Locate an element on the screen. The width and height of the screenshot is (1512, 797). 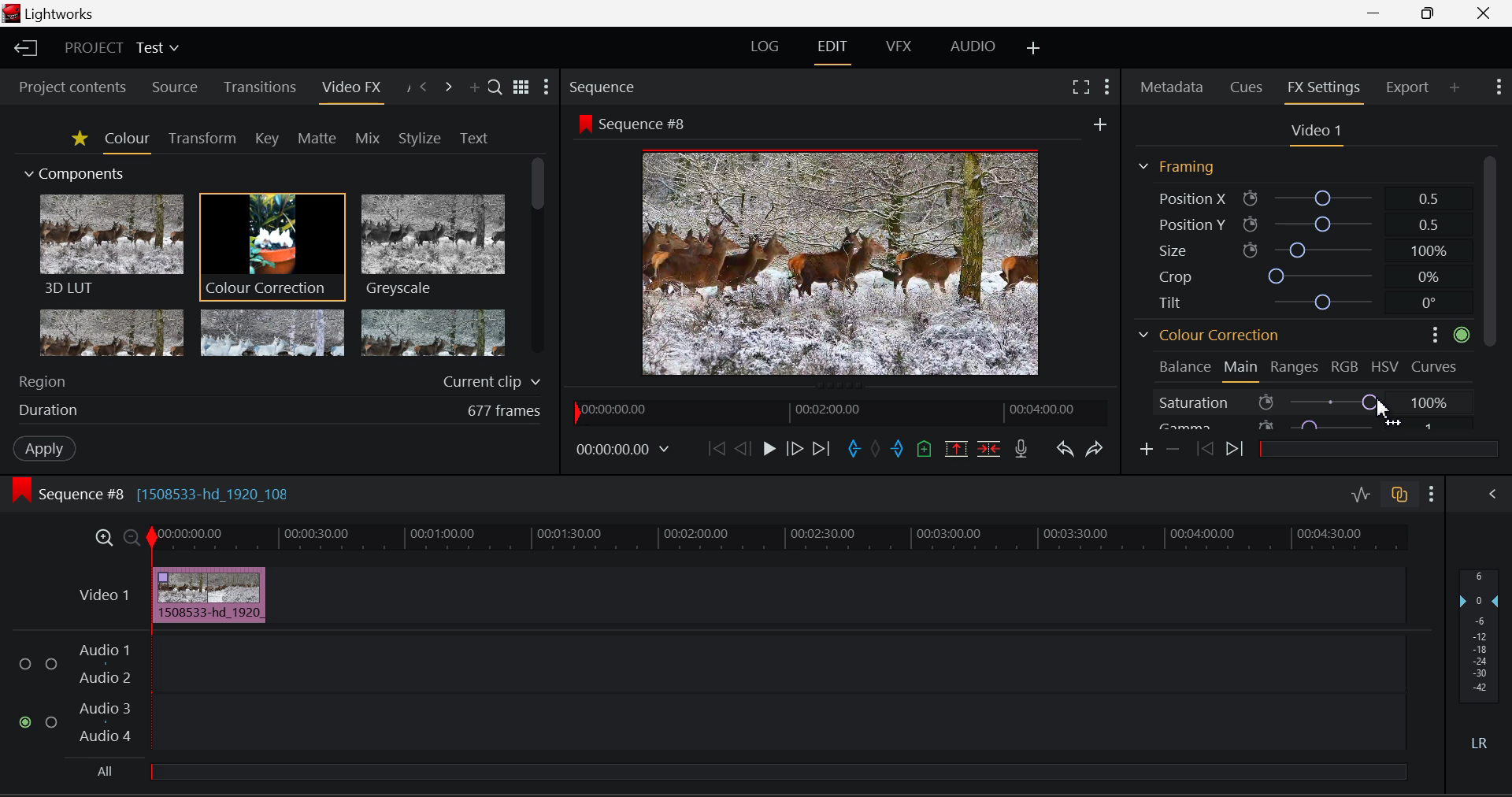
FX Settings Open is located at coordinates (1323, 89).